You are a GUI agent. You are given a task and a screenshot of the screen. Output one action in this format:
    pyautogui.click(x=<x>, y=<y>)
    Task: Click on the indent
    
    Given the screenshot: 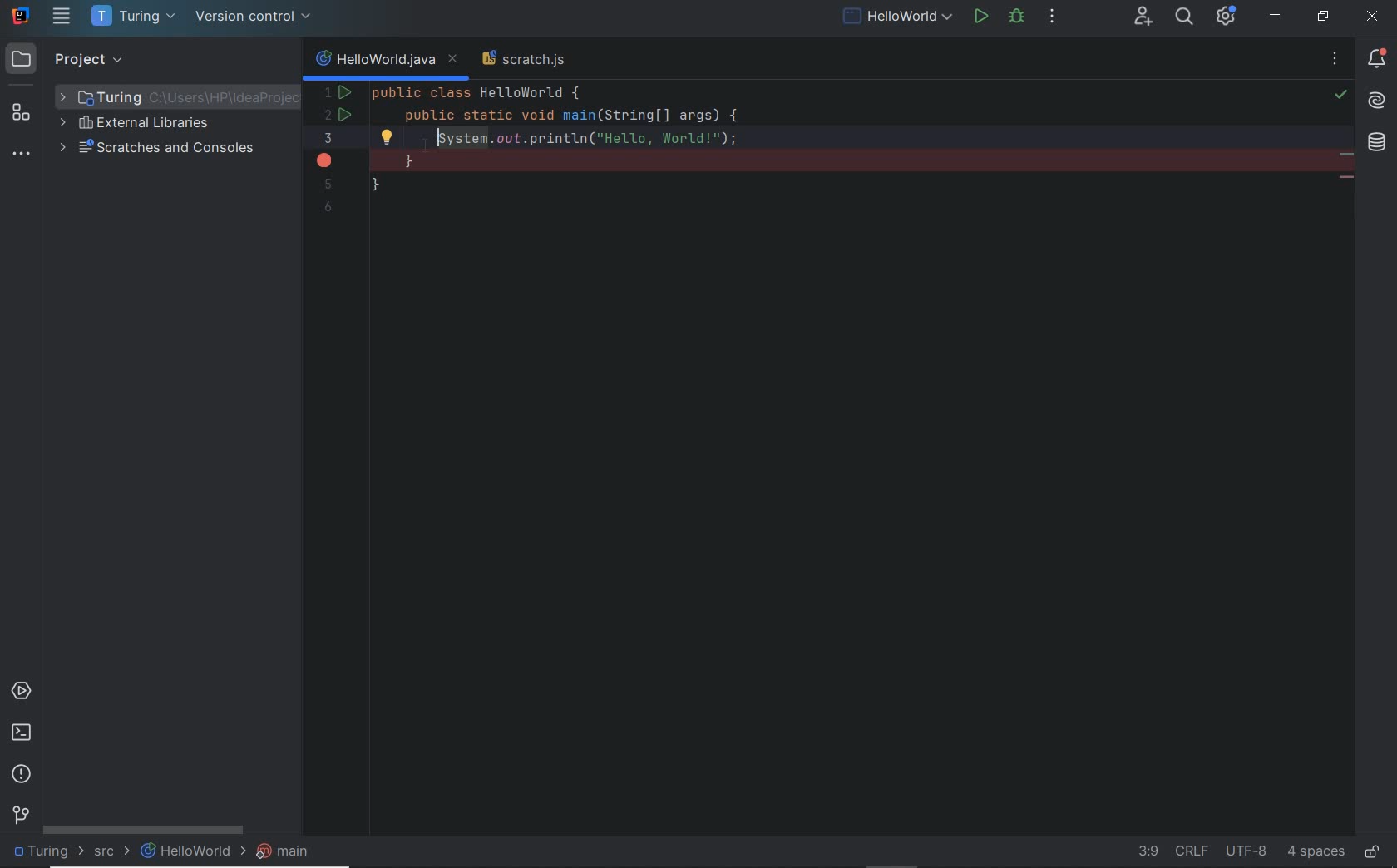 What is the action you would take?
    pyautogui.click(x=1316, y=850)
    